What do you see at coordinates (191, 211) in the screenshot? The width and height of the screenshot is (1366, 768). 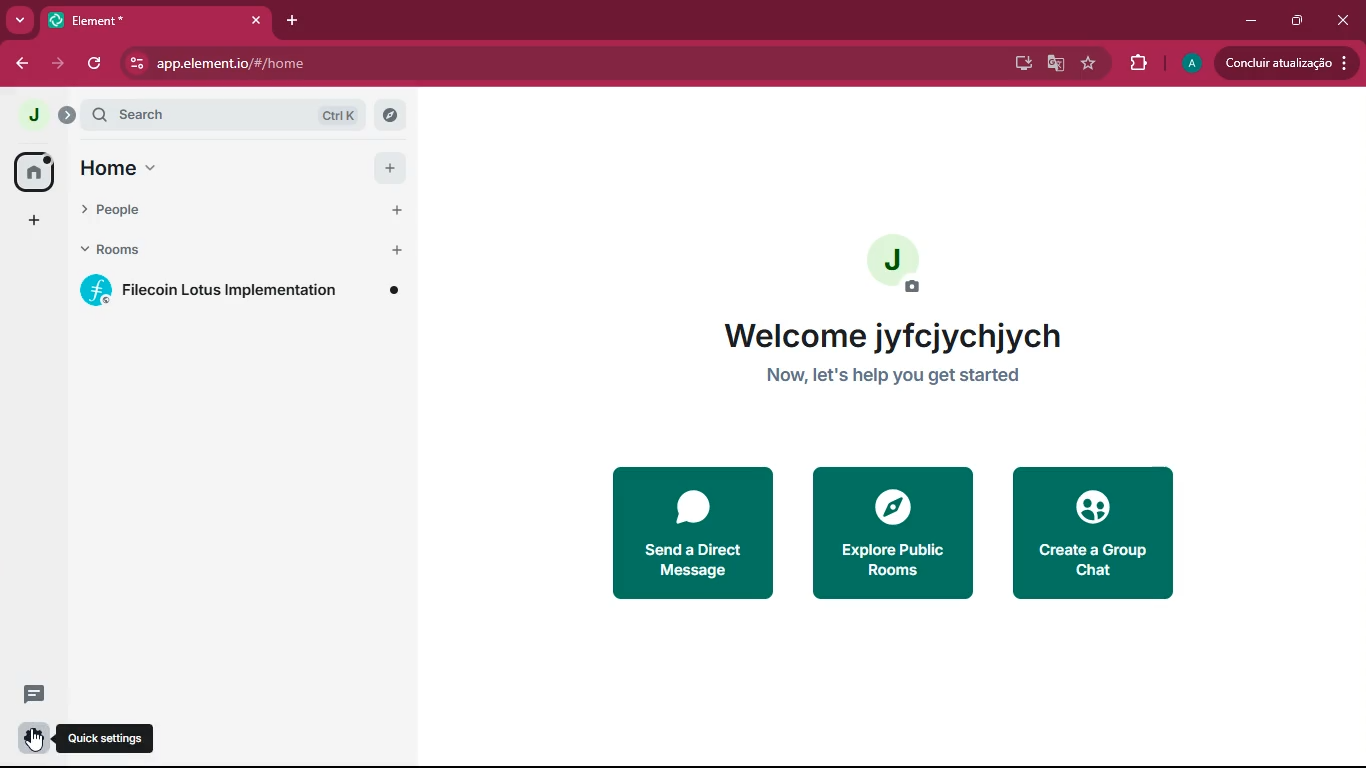 I see `people` at bounding box center [191, 211].